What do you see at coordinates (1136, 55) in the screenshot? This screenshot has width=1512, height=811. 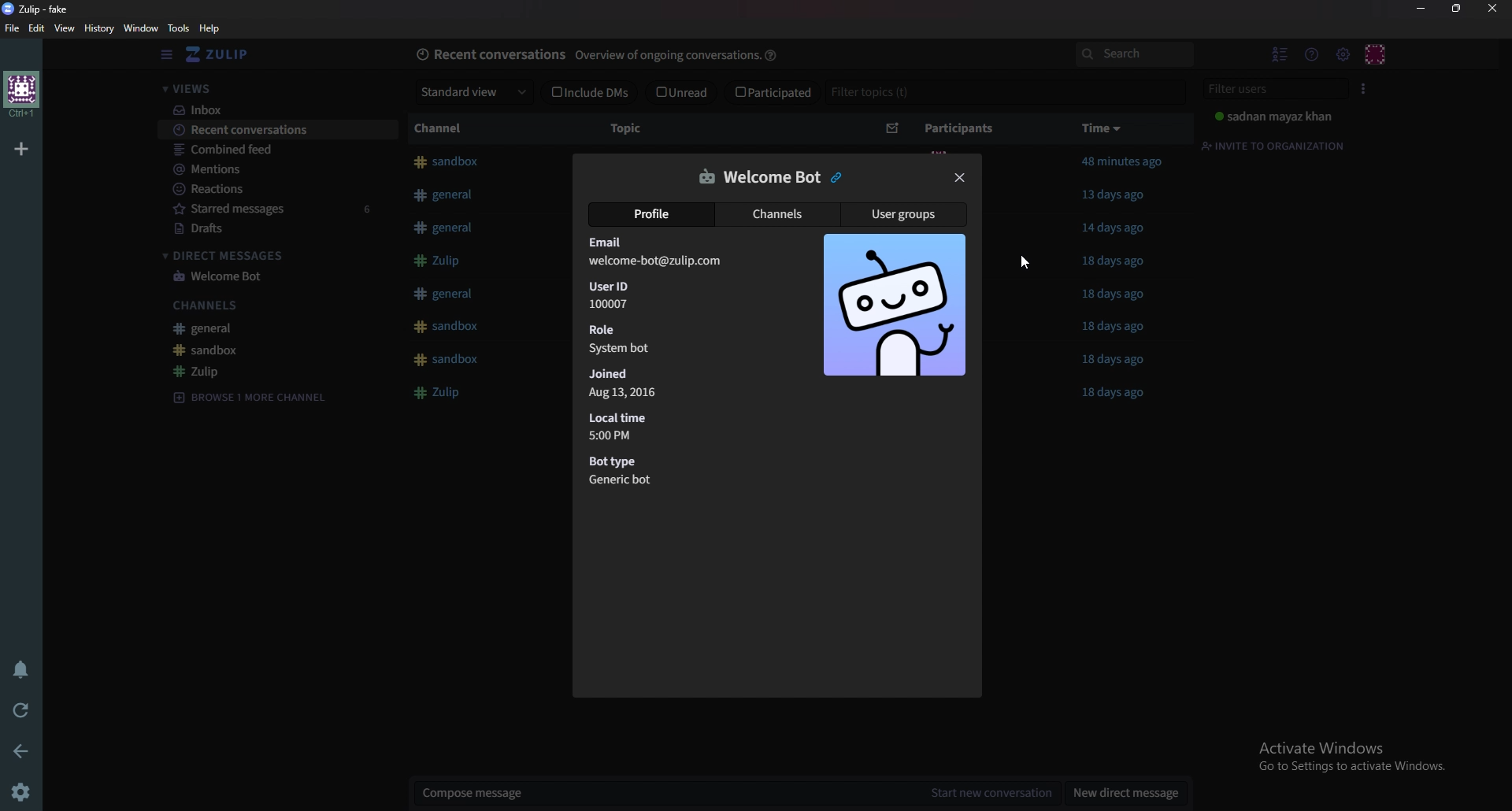 I see `search` at bounding box center [1136, 55].